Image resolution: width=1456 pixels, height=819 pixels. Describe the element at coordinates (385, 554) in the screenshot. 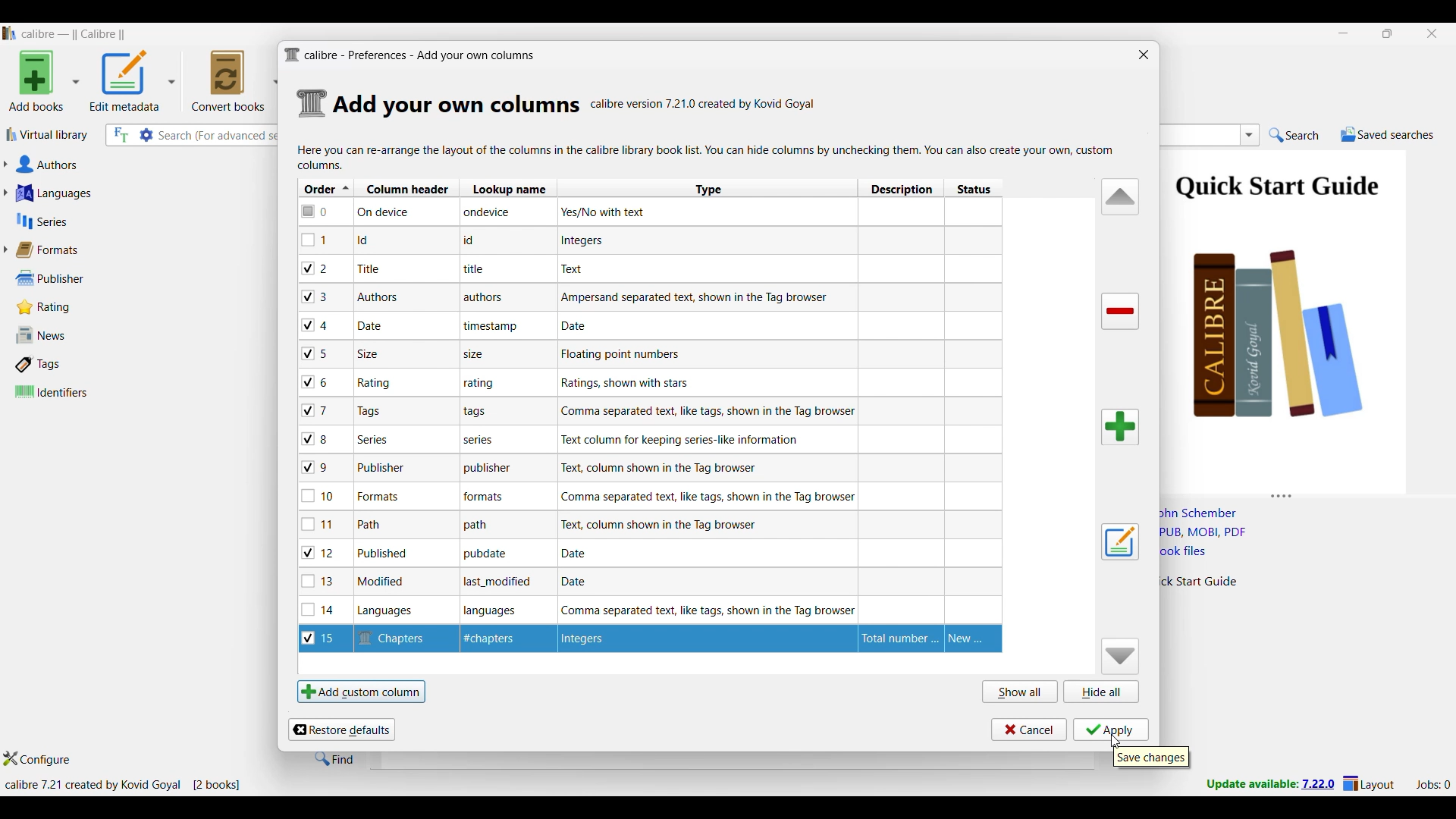

I see `Note` at that location.